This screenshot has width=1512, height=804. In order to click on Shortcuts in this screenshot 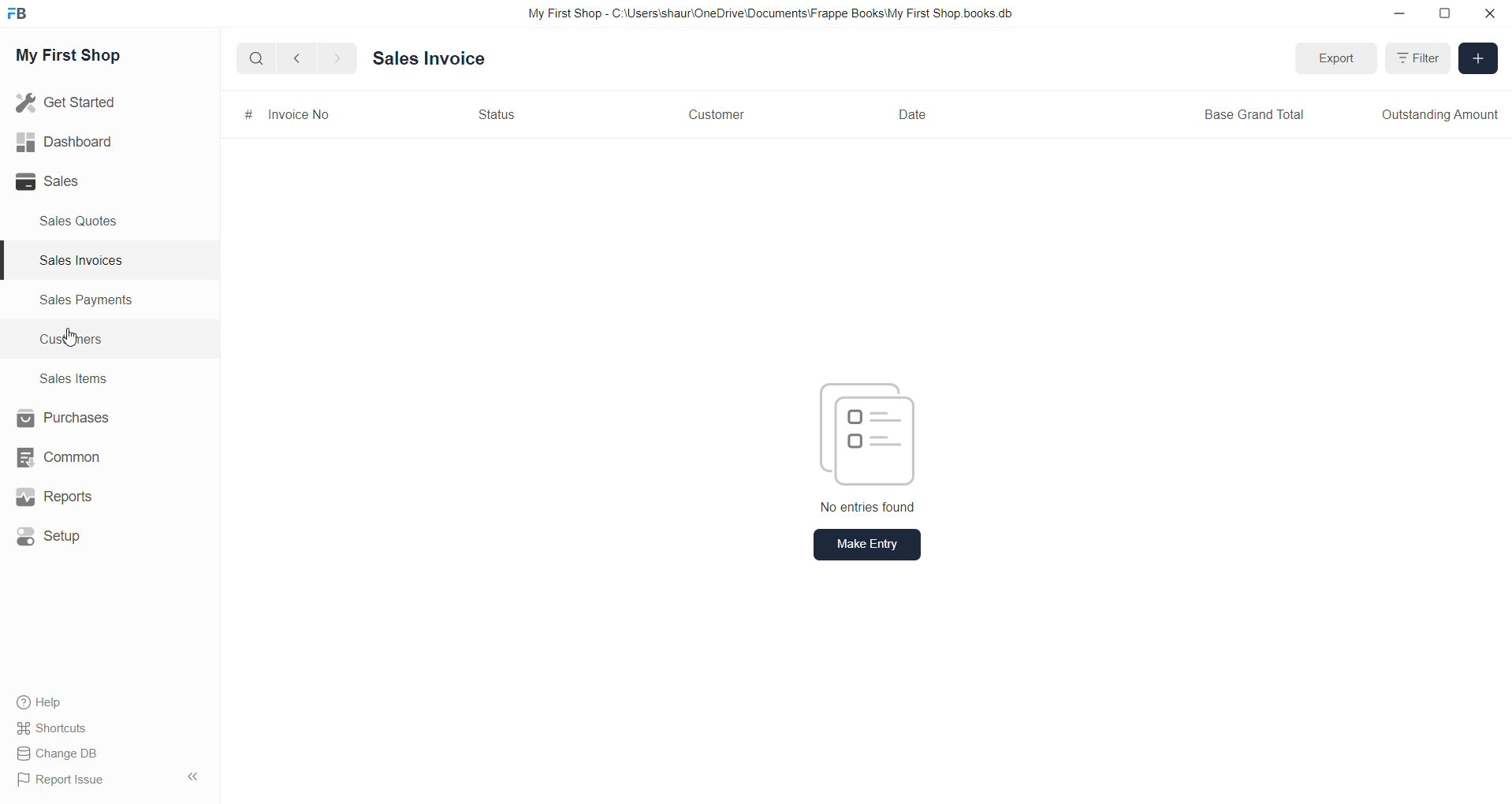, I will do `click(53, 728)`.